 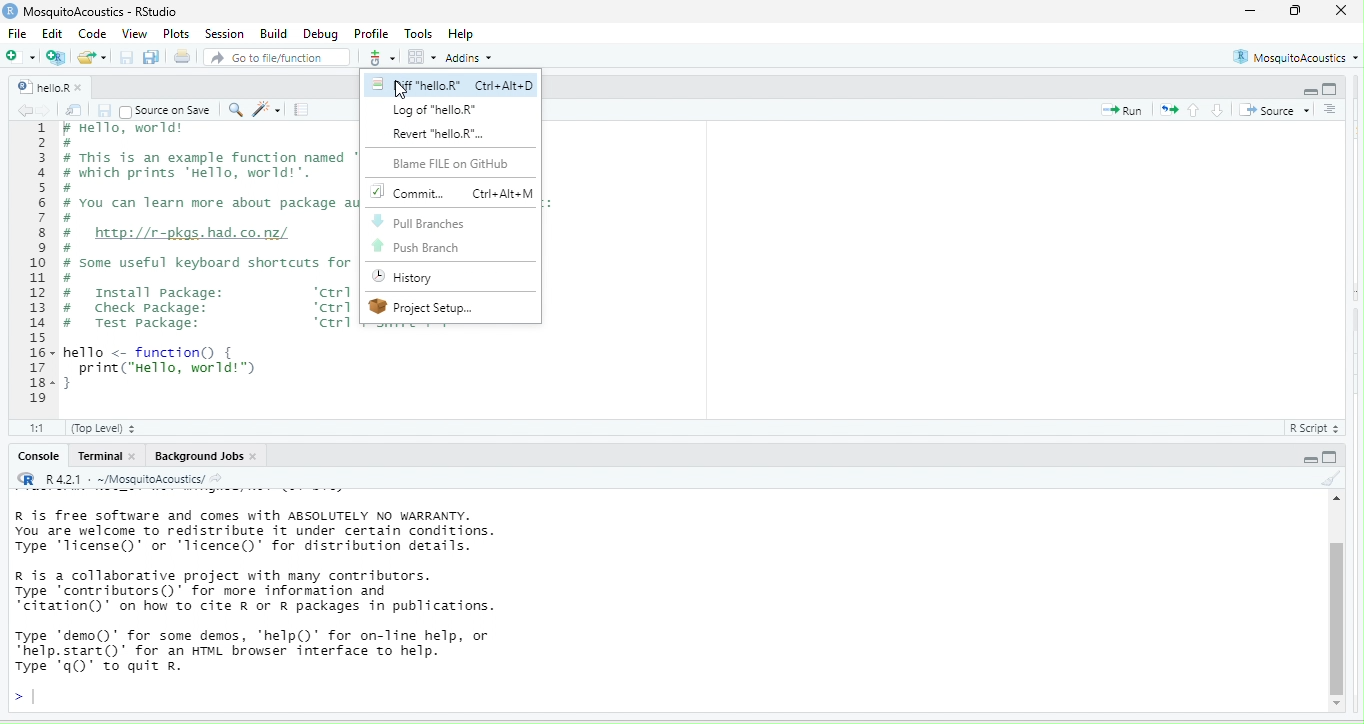 What do you see at coordinates (151, 57) in the screenshot?
I see `save all open documents` at bounding box center [151, 57].